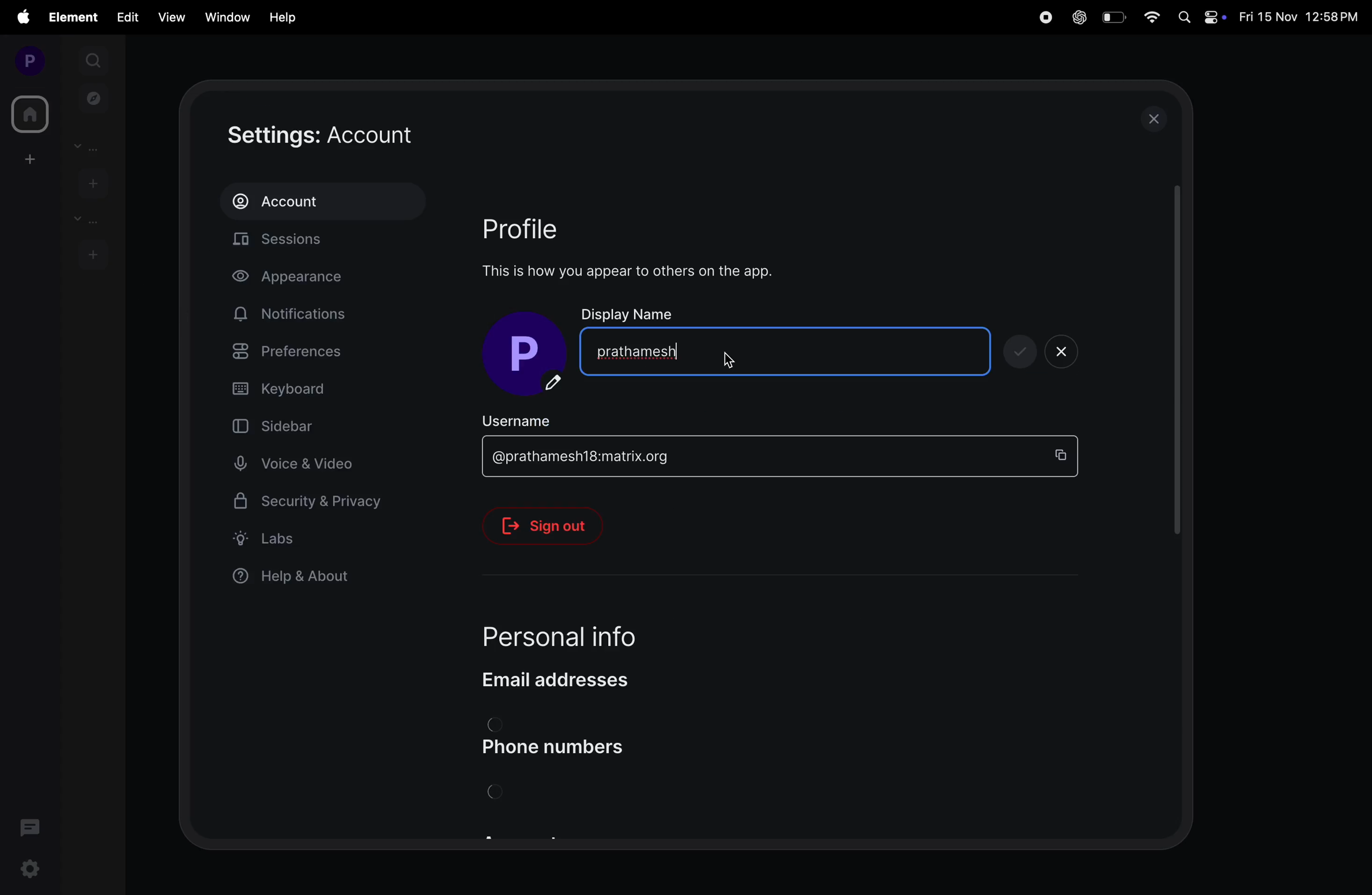 Image resolution: width=1372 pixels, height=895 pixels. I want to click on notifications, so click(295, 314).